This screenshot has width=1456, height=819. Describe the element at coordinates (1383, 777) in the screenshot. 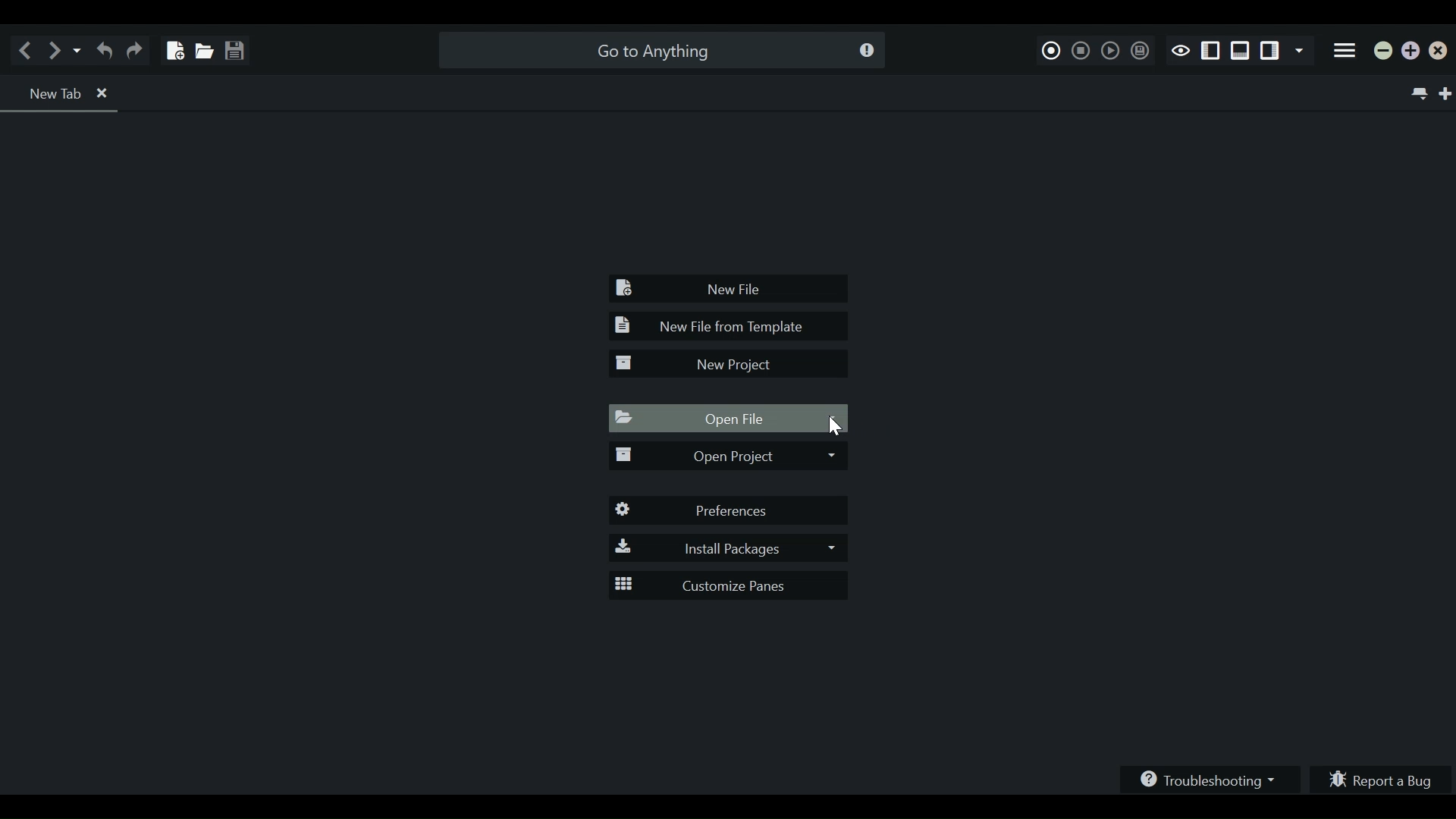

I see `Report a bug` at that location.